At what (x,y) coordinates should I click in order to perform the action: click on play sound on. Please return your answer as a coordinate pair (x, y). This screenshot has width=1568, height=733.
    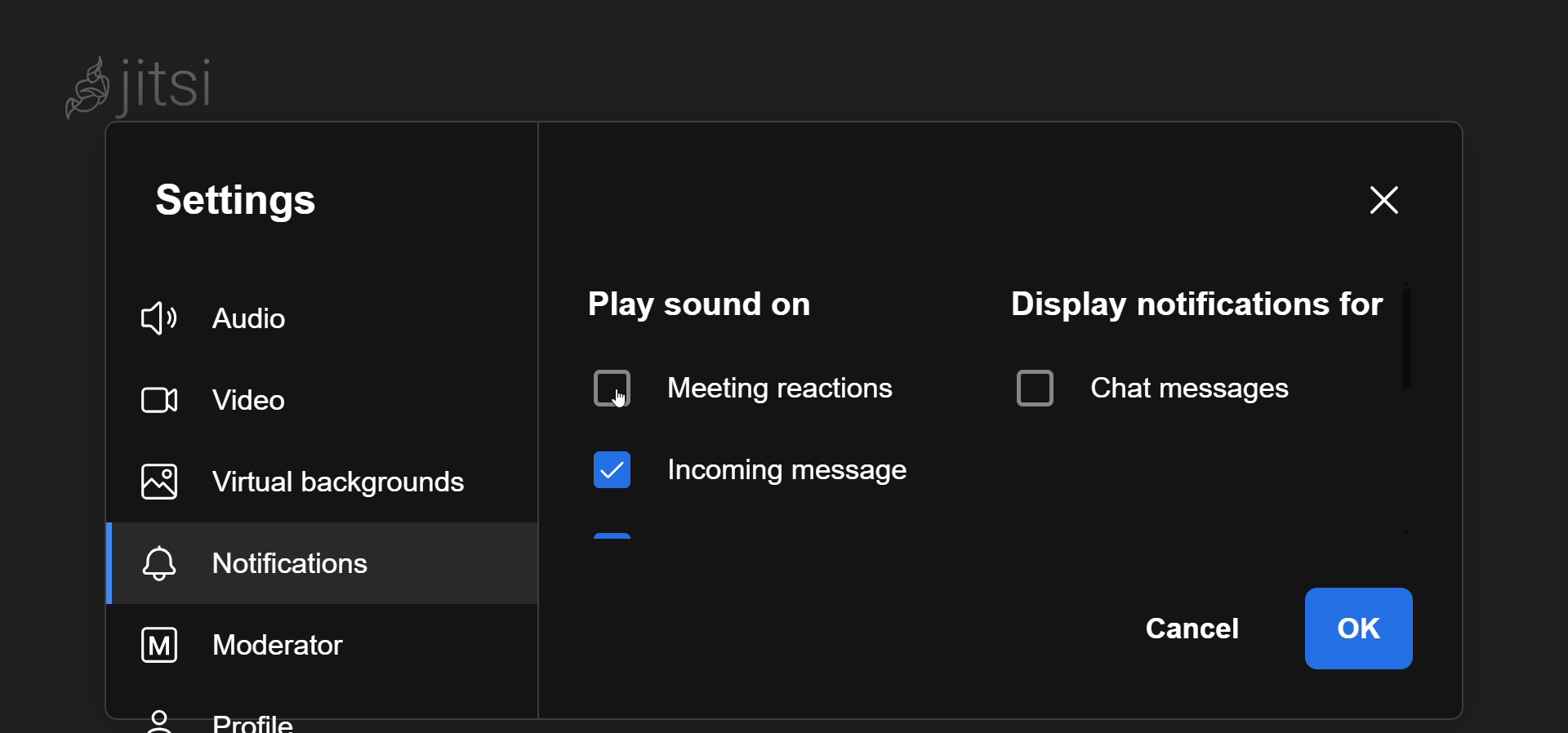
    Looking at the image, I should click on (700, 309).